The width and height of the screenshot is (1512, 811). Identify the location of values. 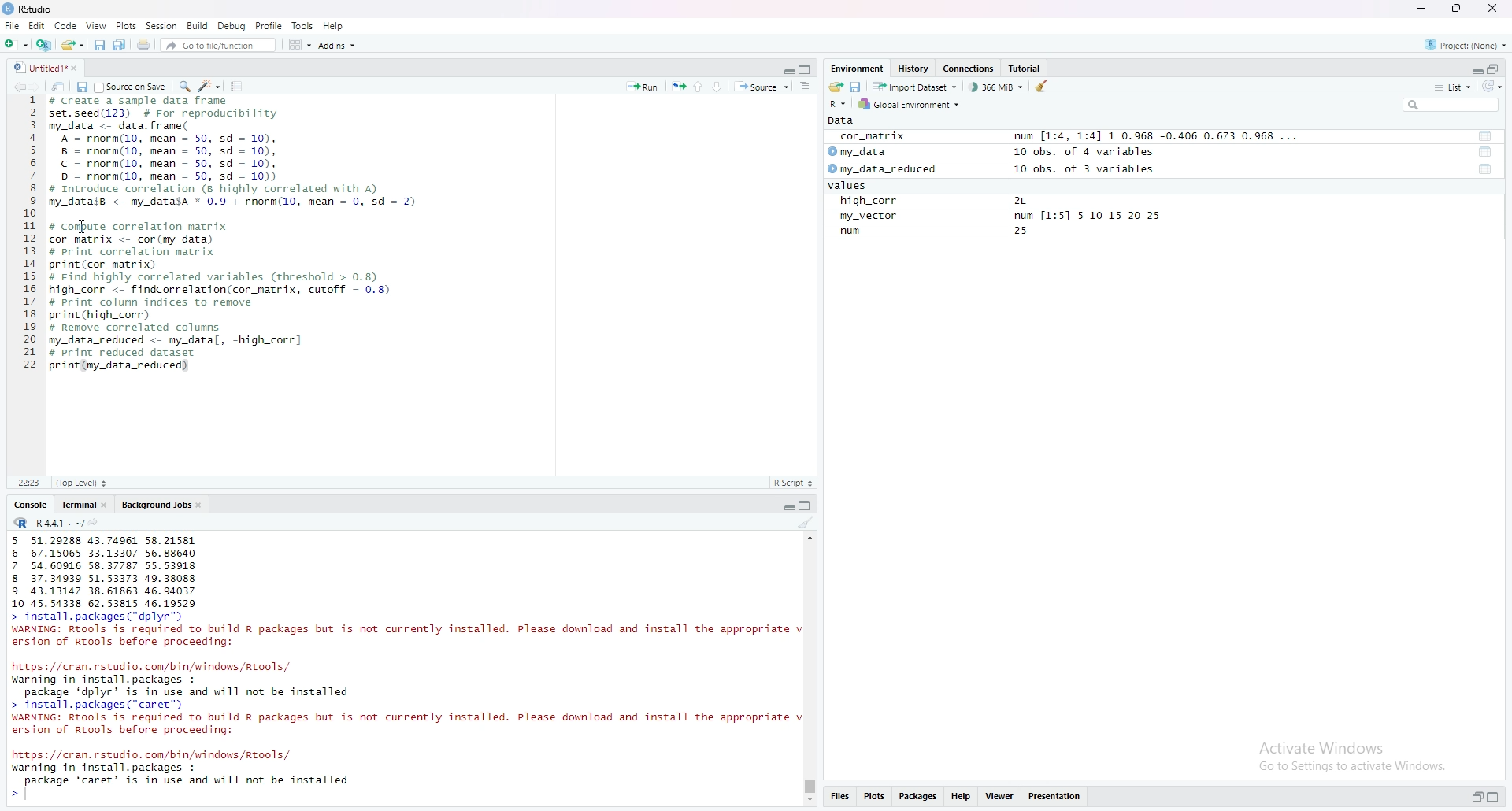
(850, 185).